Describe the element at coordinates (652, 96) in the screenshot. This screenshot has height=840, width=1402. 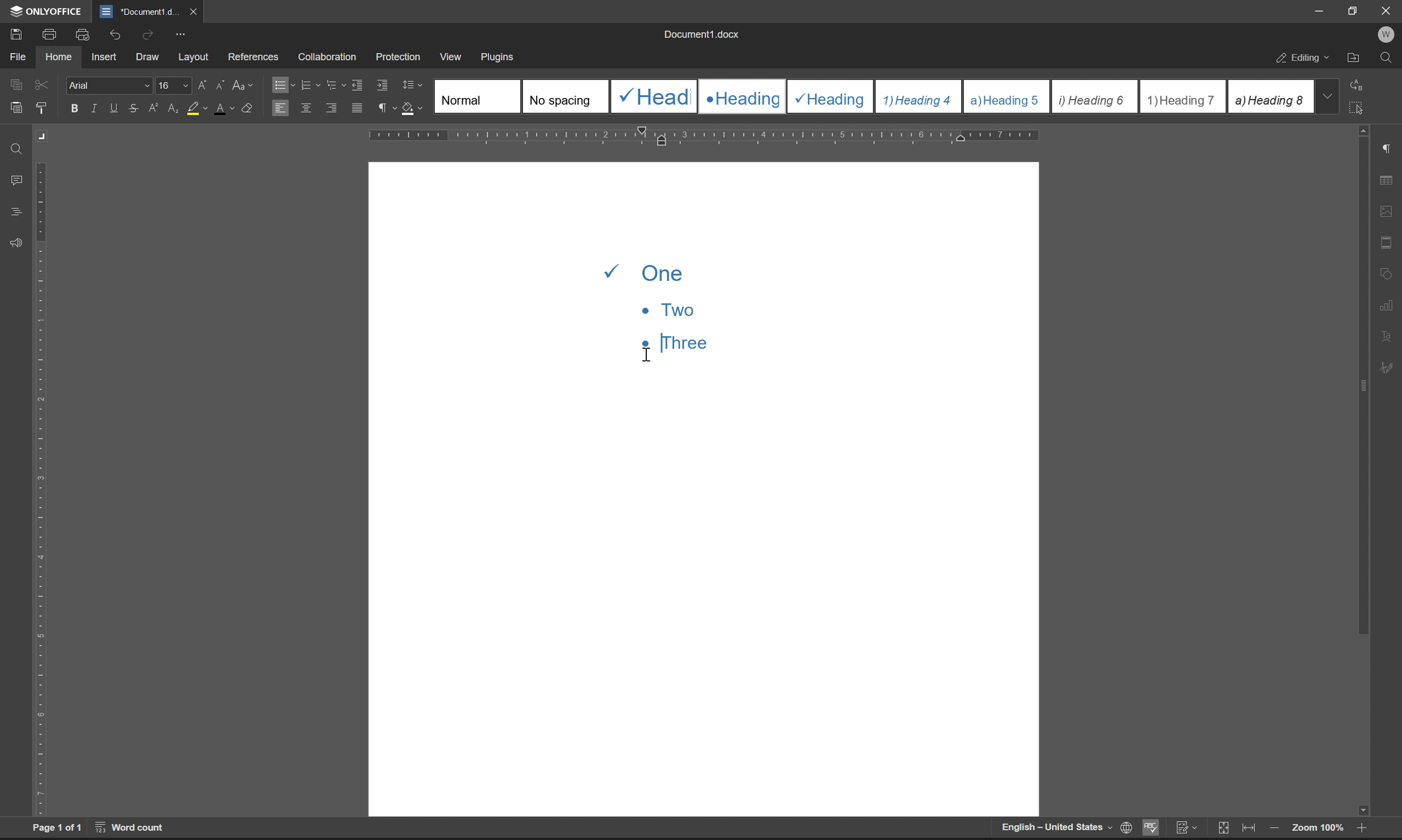
I see `Heading 1` at that location.